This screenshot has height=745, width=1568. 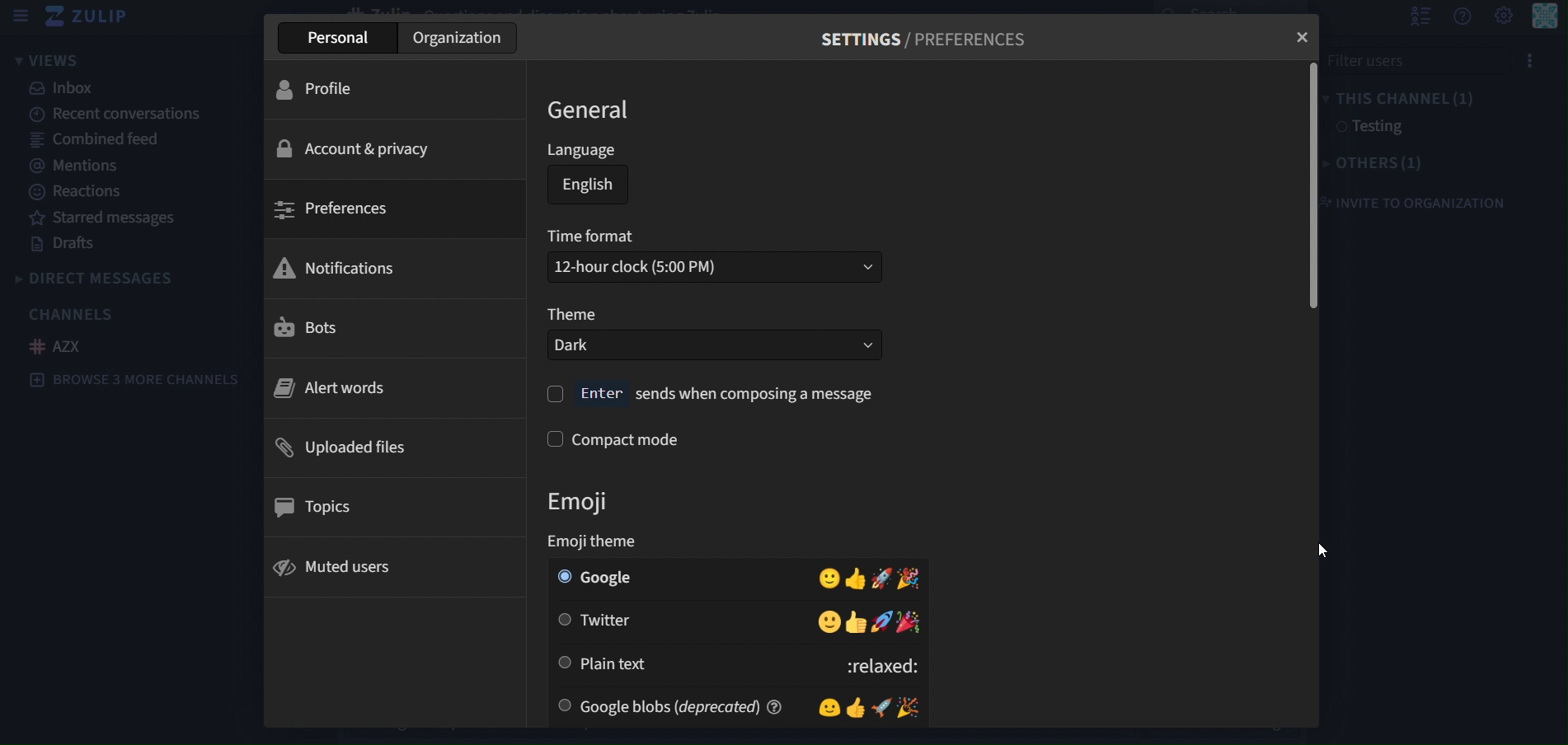 I want to click on topics, so click(x=324, y=503).